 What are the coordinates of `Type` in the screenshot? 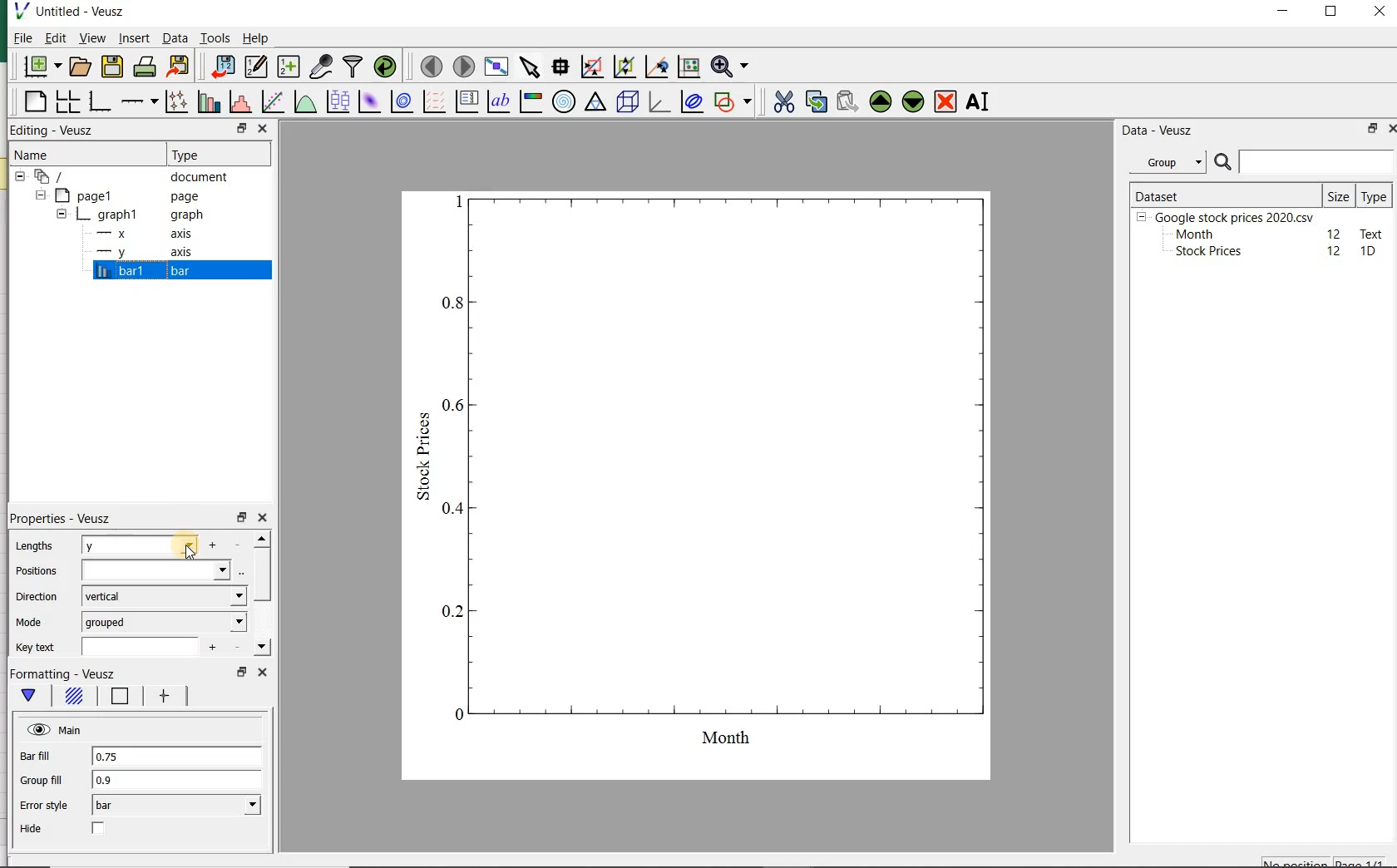 It's located at (1374, 195).